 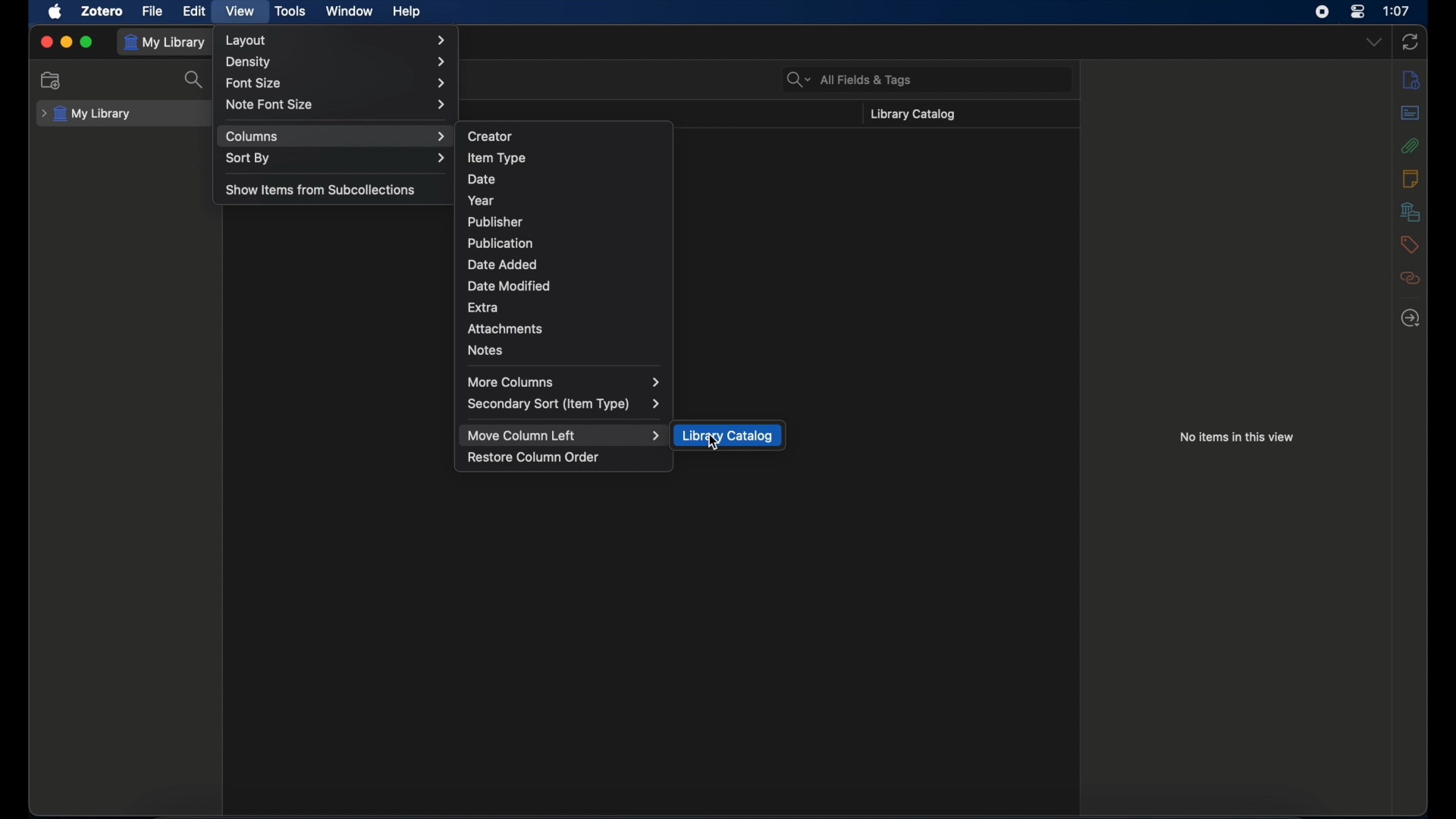 I want to click on sort by, so click(x=336, y=158).